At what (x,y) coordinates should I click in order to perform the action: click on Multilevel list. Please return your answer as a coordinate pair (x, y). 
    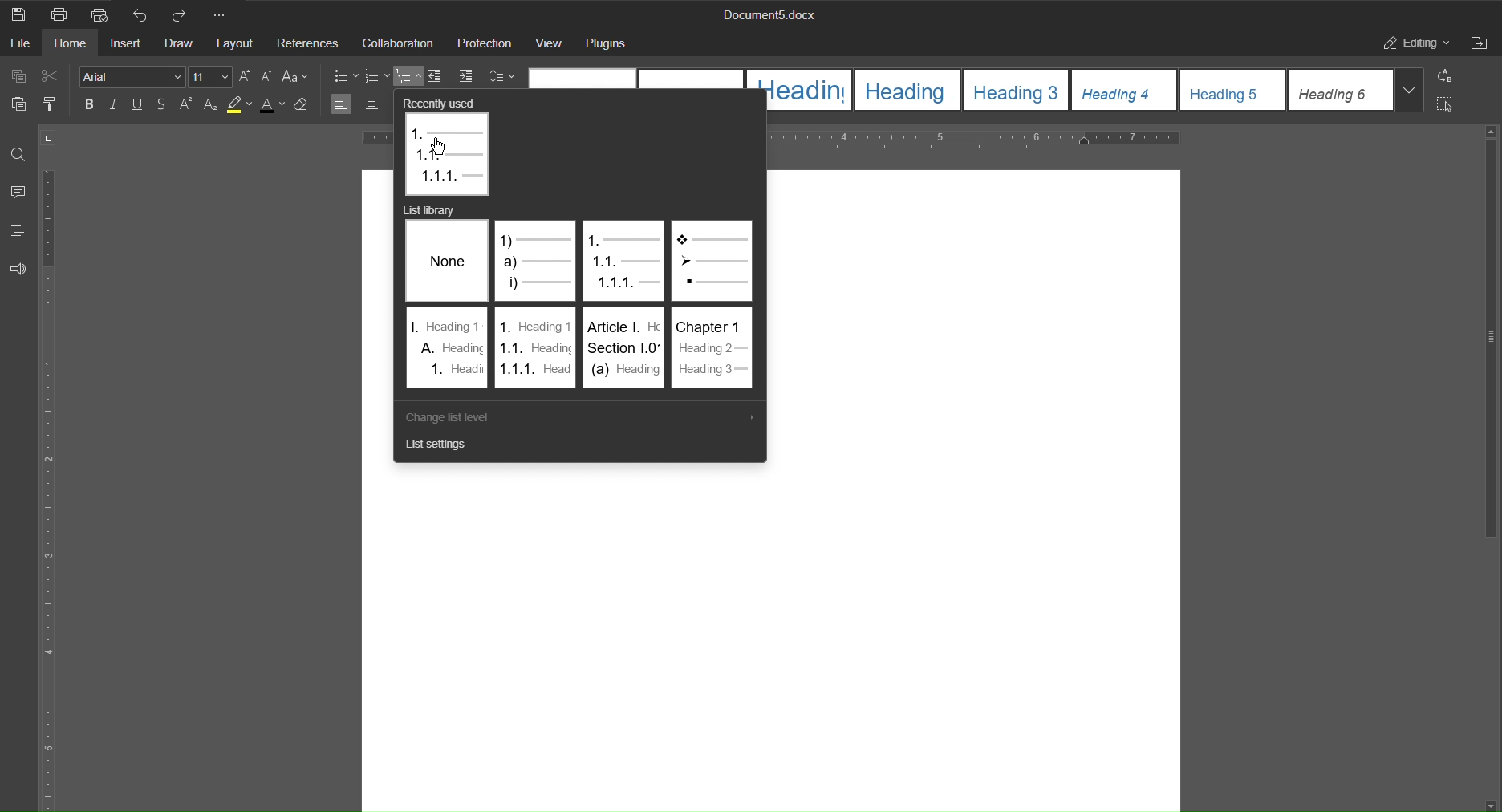
    Looking at the image, I should click on (408, 76).